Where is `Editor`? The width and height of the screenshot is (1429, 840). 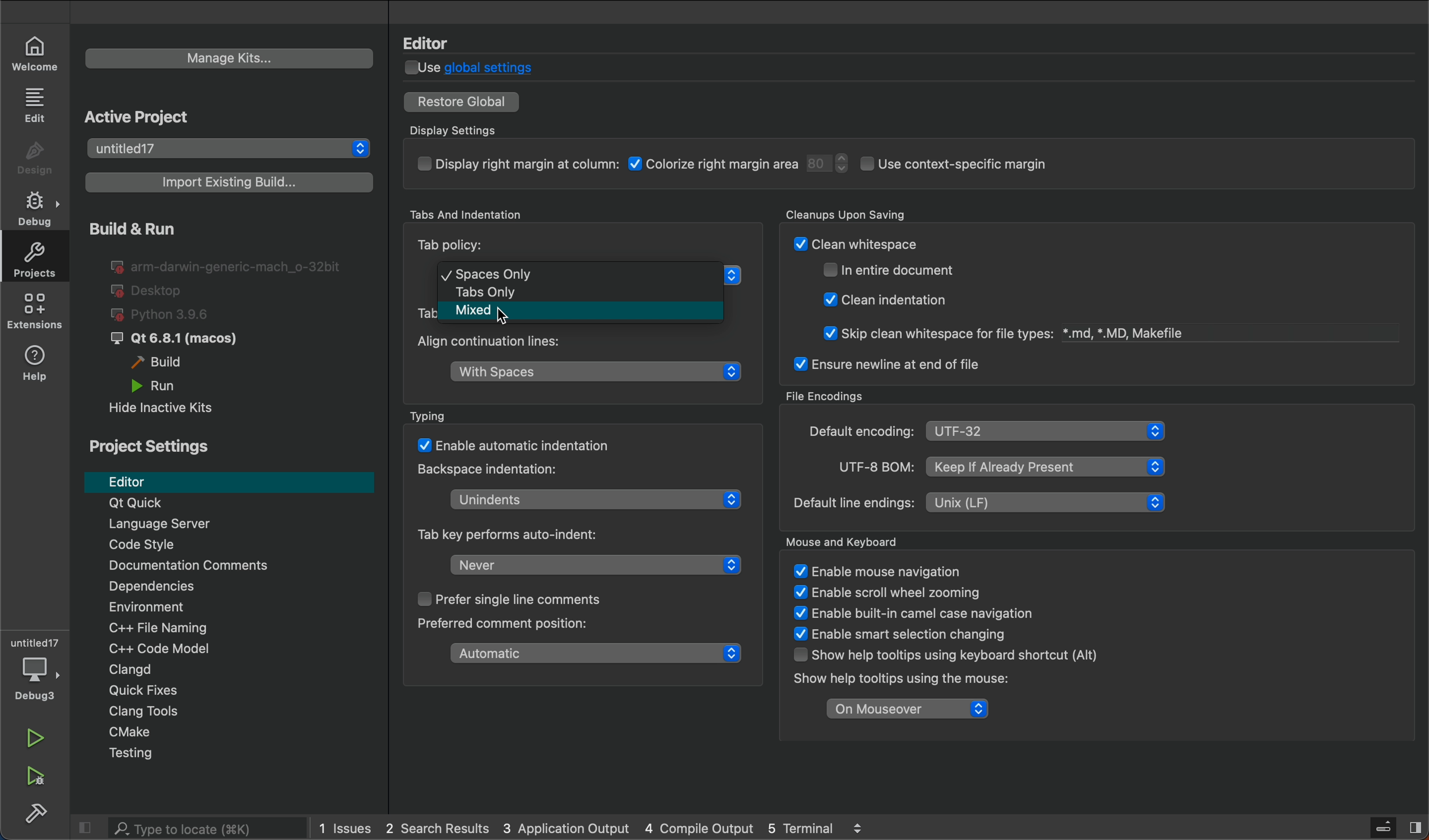 Editor is located at coordinates (435, 42).